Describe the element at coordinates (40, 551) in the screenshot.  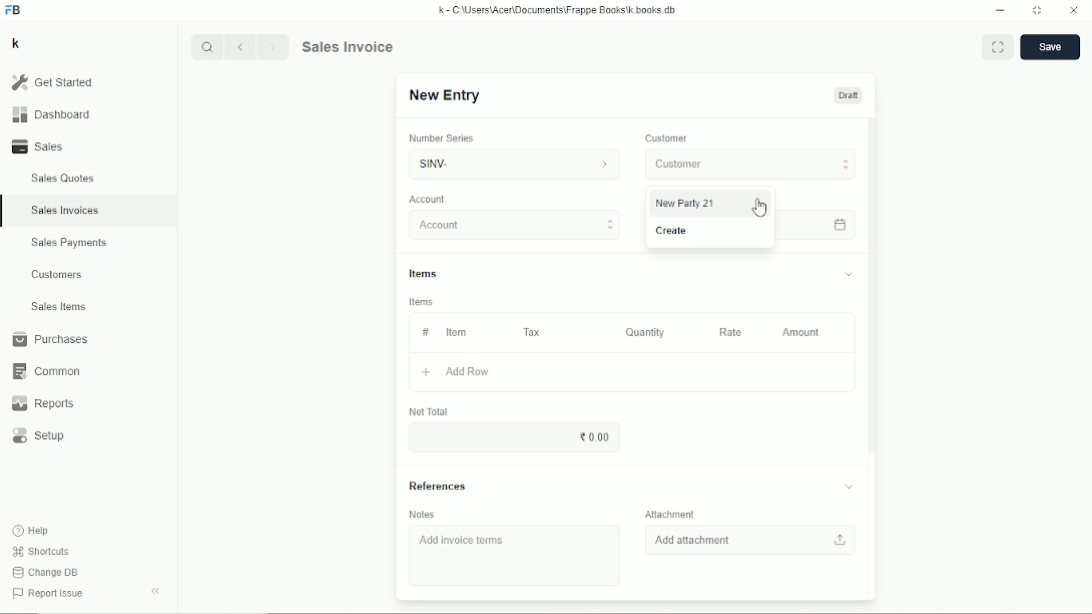
I see `Shortcuts` at that location.